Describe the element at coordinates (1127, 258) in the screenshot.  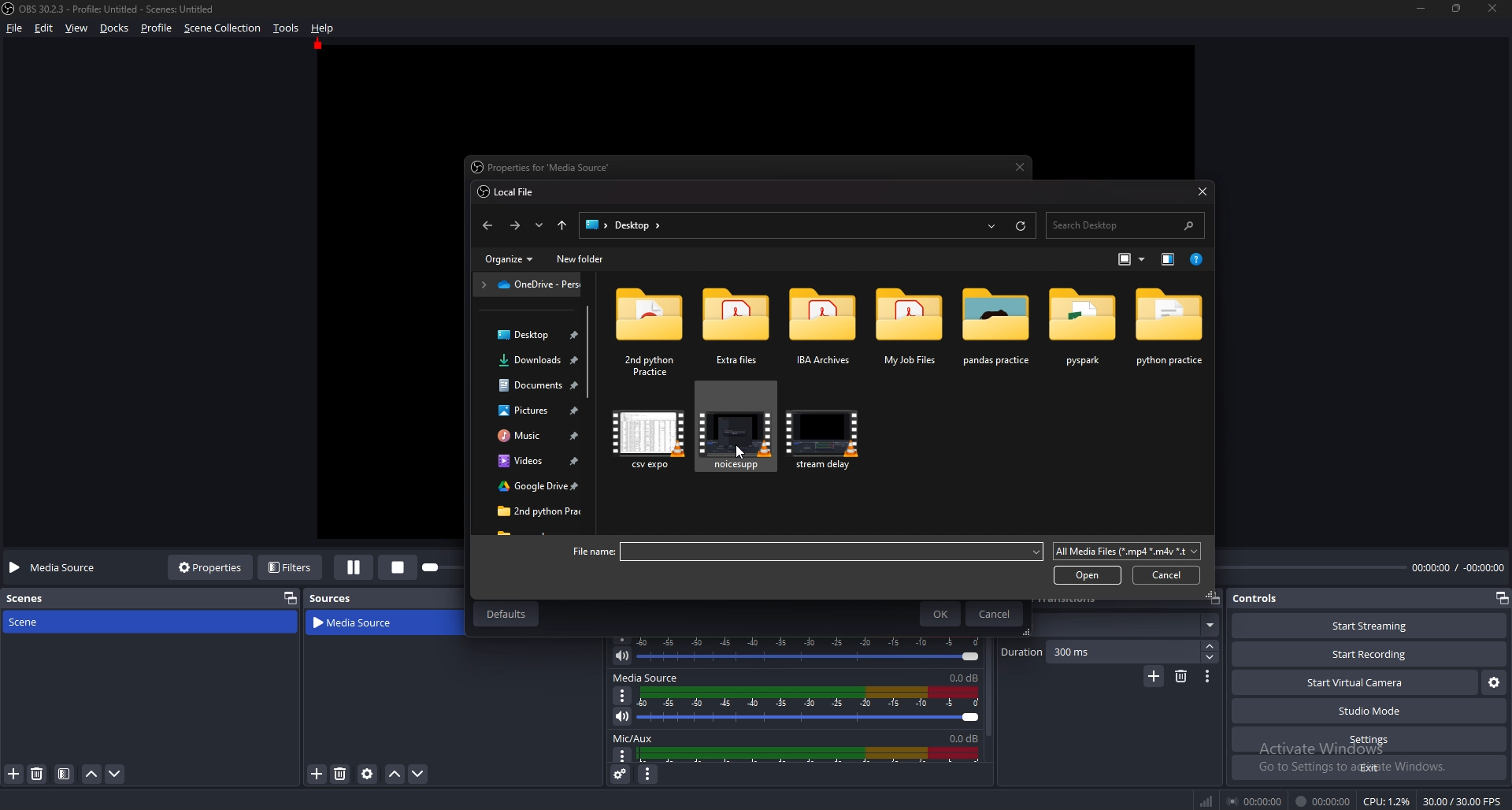
I see `Change view` at that location.